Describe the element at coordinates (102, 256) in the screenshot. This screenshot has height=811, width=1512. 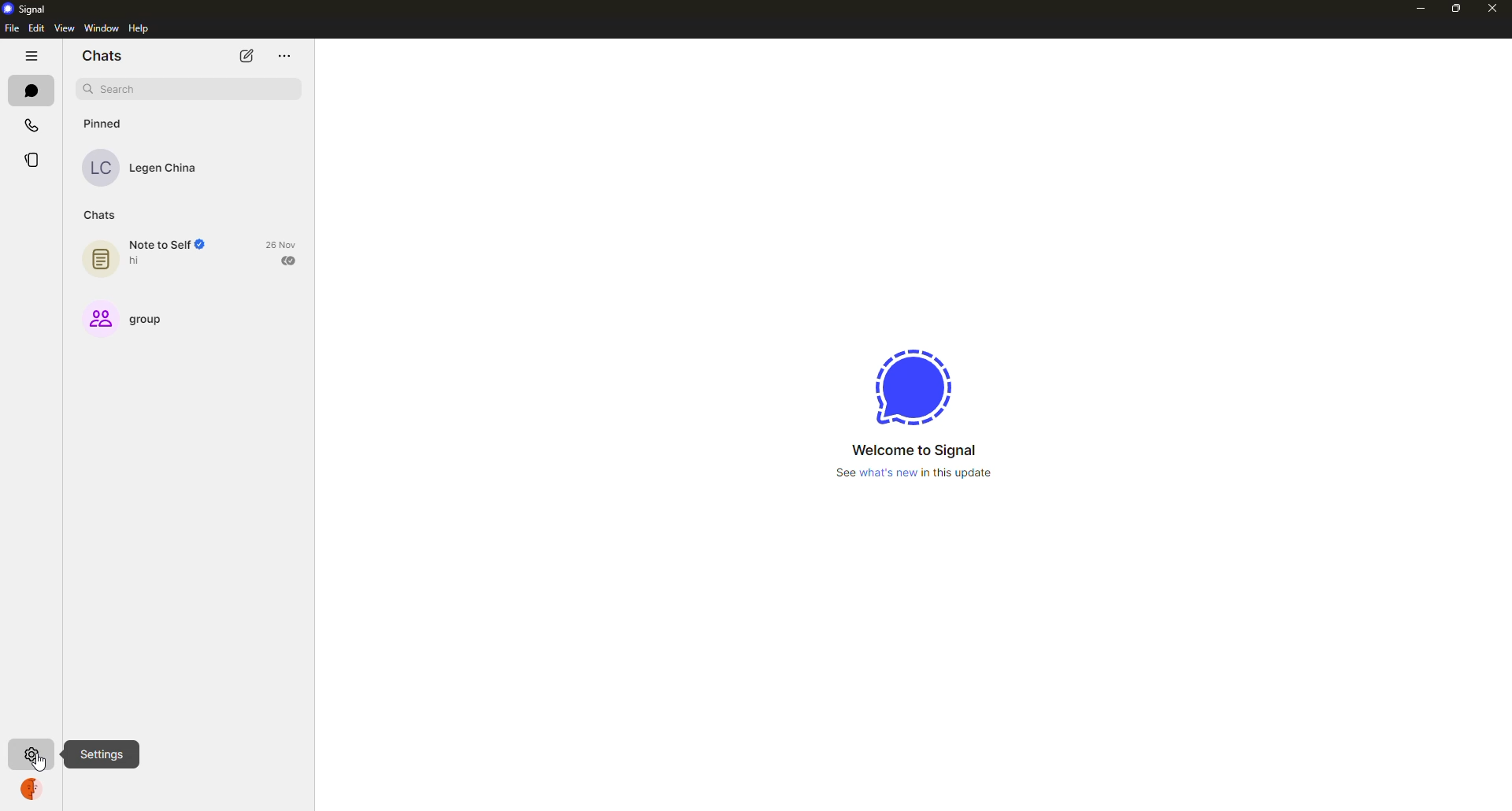
I see `note` at that location.